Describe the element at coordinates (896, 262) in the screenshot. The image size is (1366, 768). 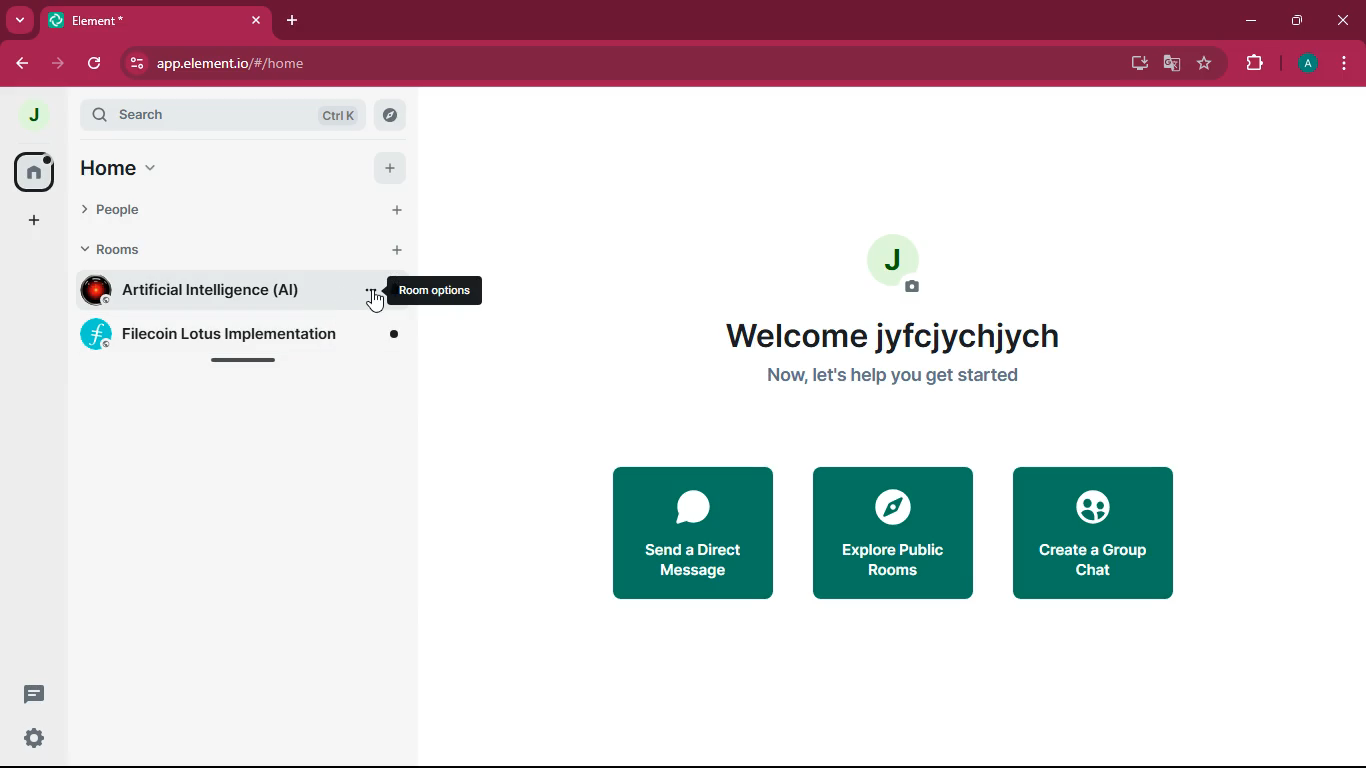
I see `profile picture` at that location.